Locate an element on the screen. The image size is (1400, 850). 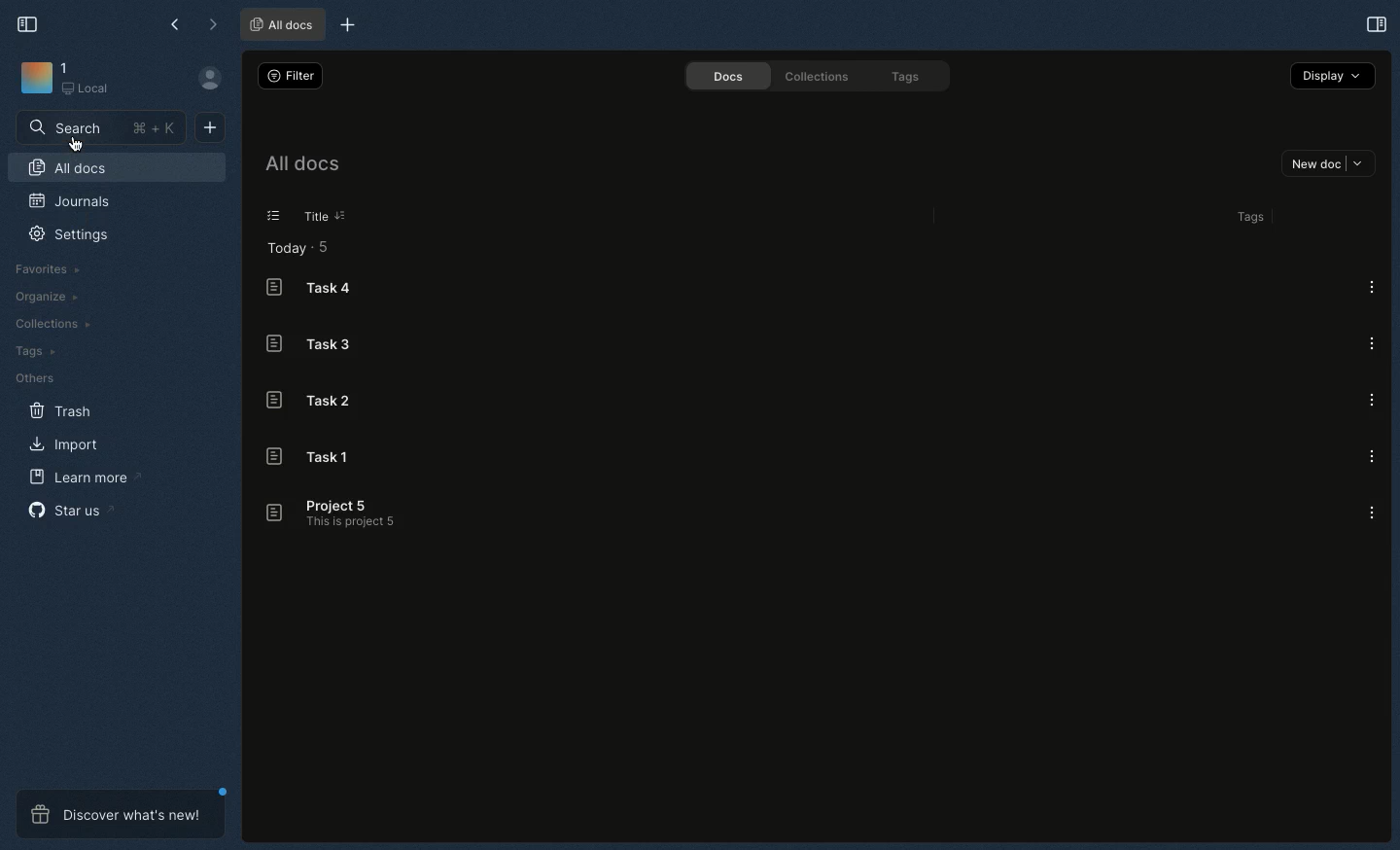
Options is located at coordinates (1372, 287).